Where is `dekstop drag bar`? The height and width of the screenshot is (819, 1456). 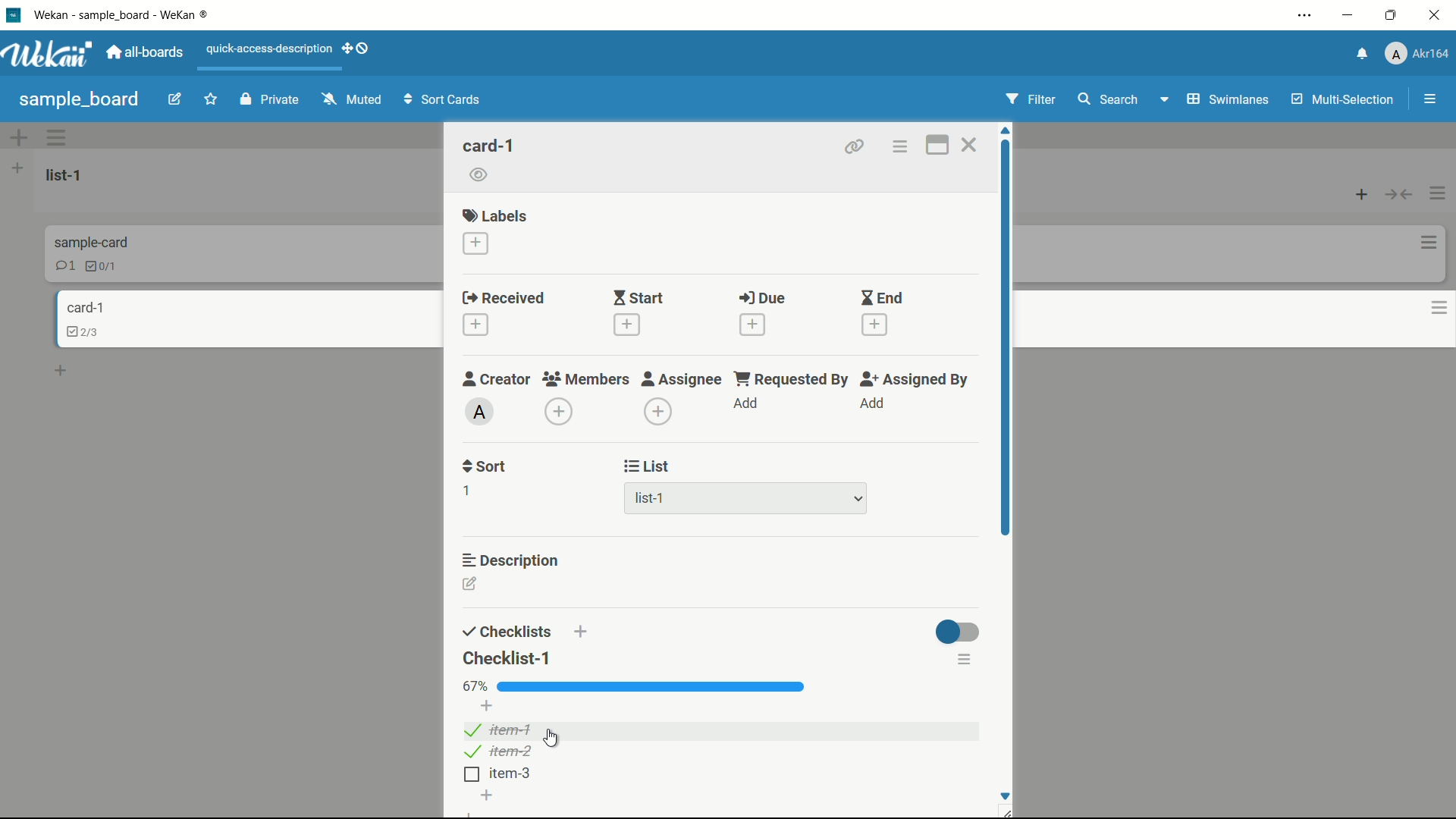 dekstop drag bar is located at coordinates (359, 50).